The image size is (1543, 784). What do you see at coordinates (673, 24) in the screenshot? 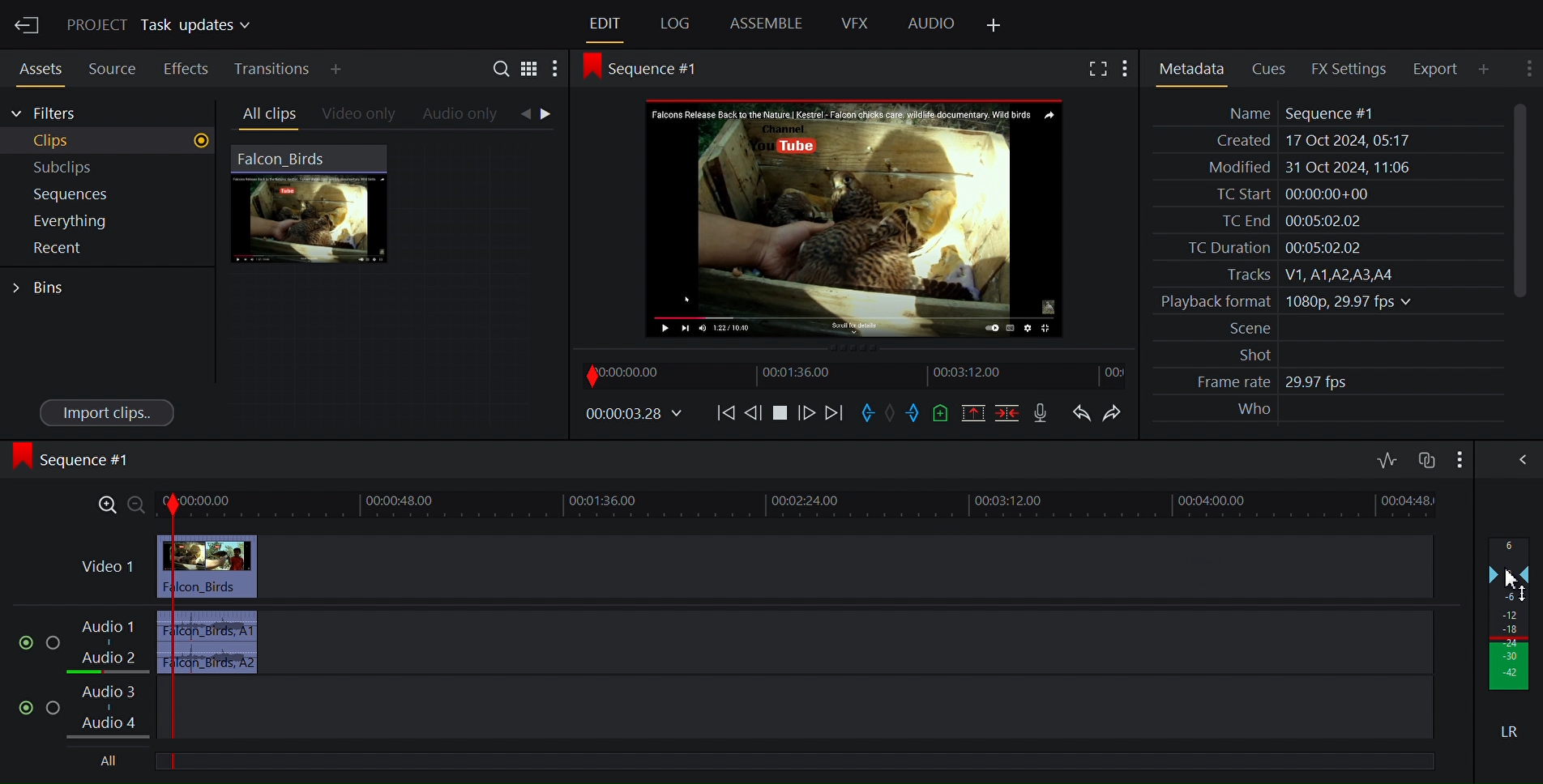
I see `Log` at bounding box center [673, 24].